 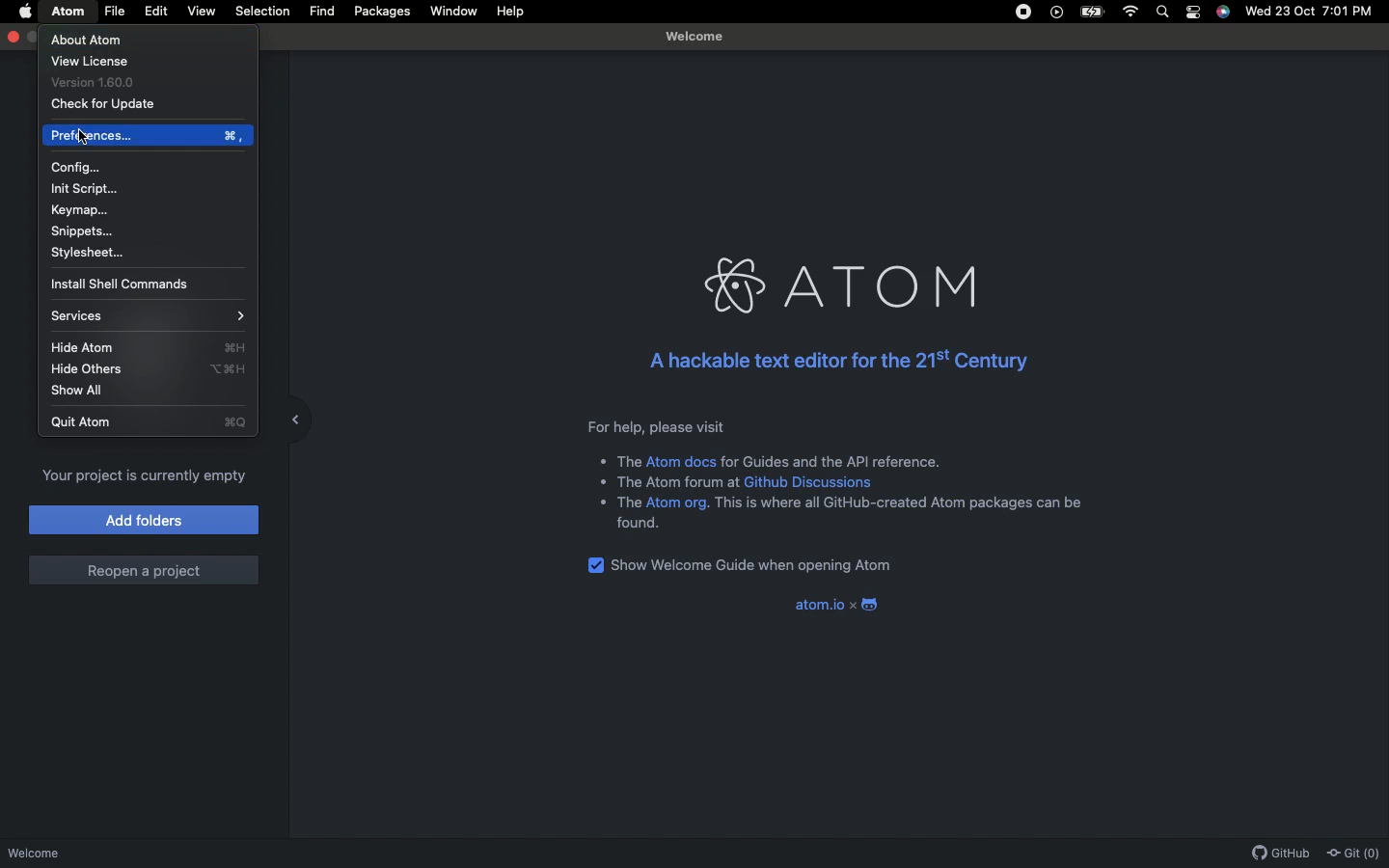 What do you see at coordinates (1194, 13) in the screenshot?
I see `Notification bar` at bounding box center [1194, 13].